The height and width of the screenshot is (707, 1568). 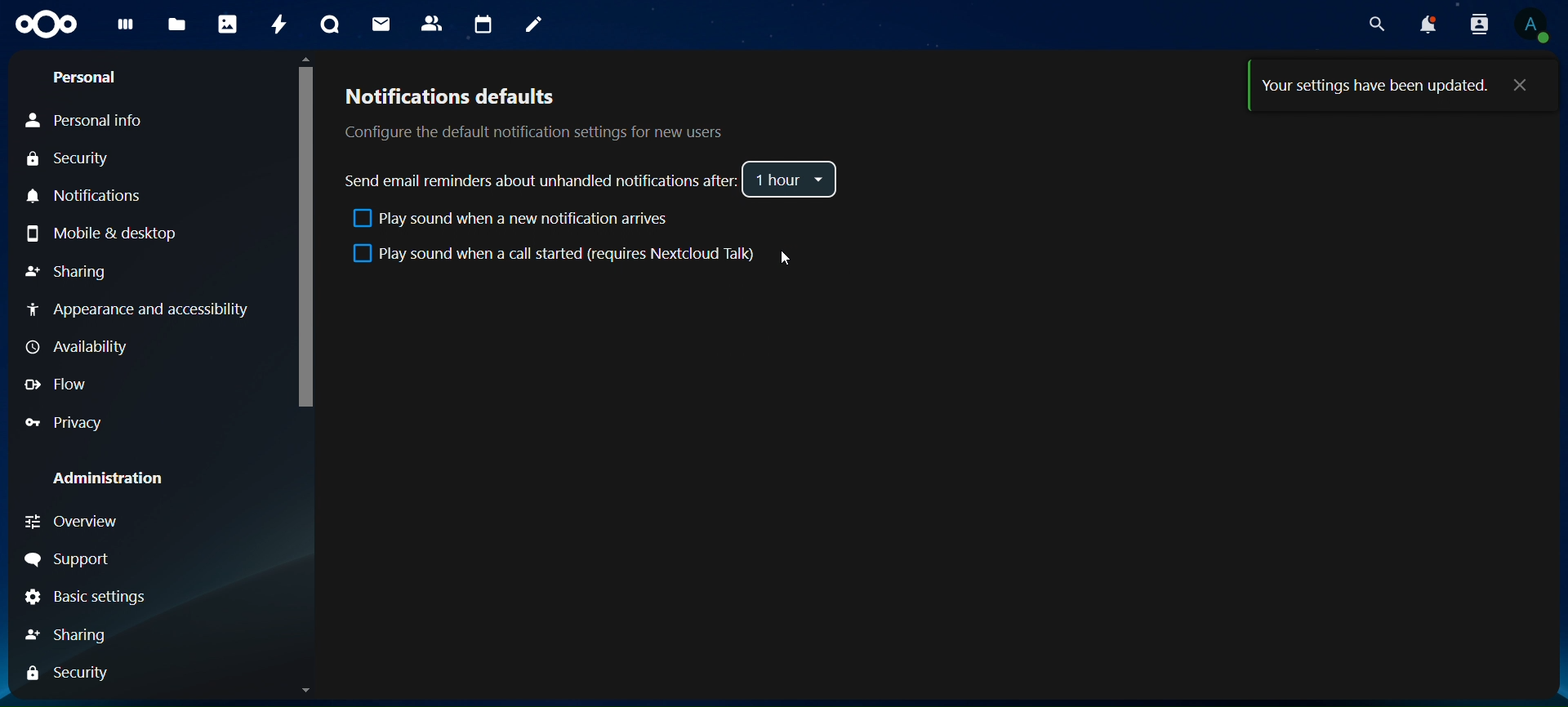 I want to click on Personal, so click(x=87, y=78).